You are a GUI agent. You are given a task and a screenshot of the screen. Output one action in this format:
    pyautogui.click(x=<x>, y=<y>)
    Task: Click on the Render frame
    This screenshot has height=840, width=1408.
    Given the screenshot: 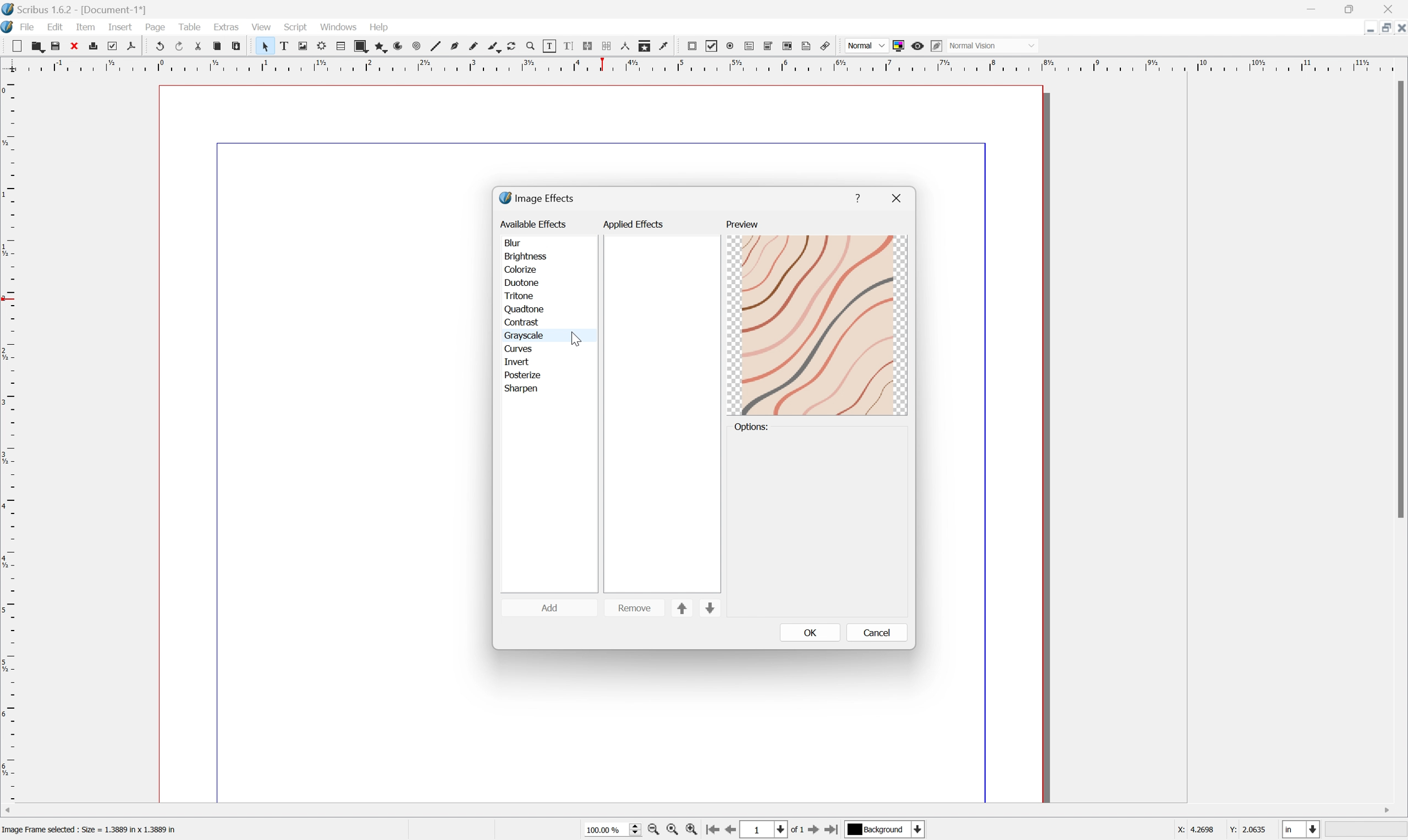 What is the action you would take?
    pyautogui.click(x=324, y=46)
    